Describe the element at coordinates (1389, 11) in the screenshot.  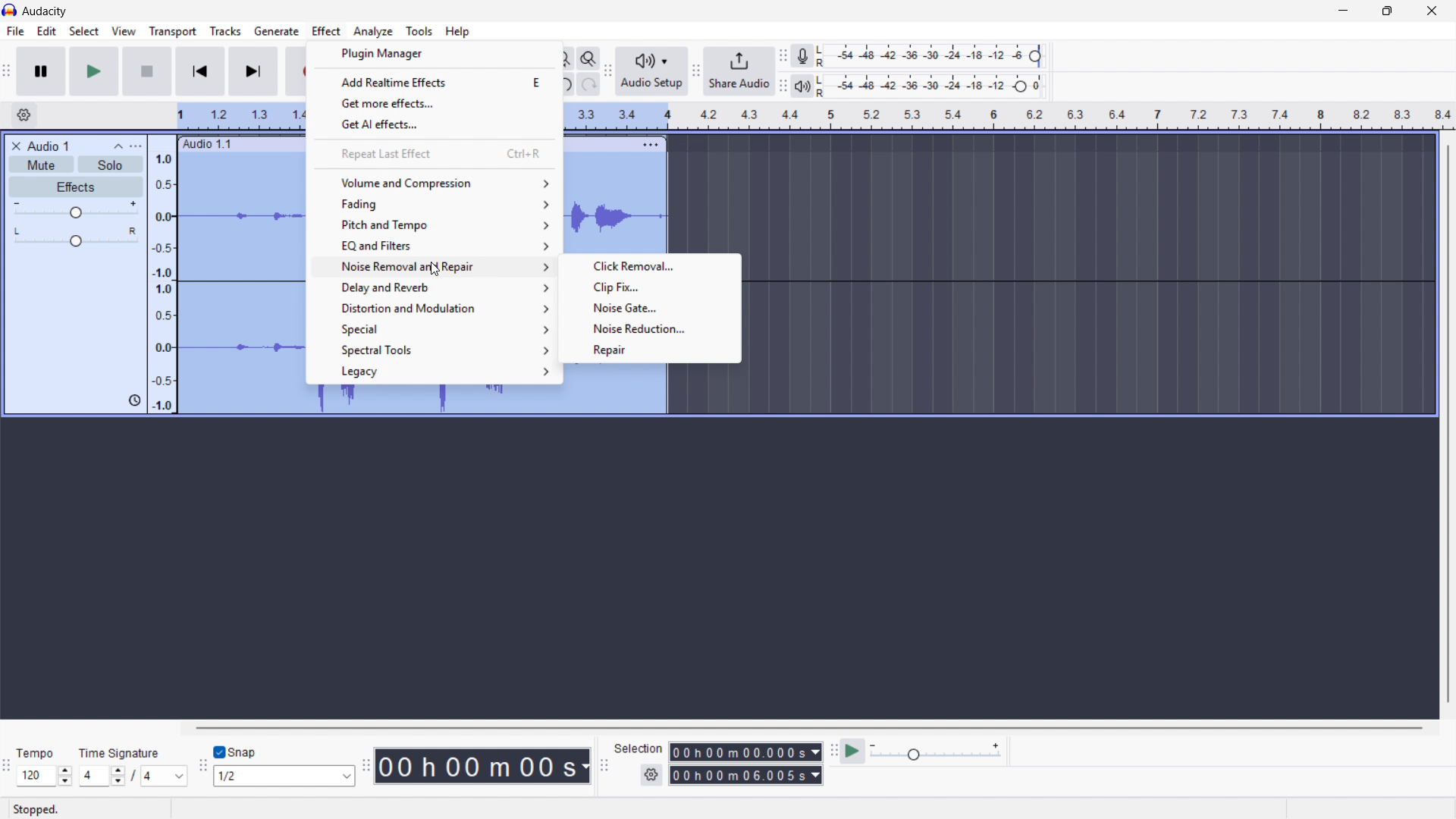
I see `Maximise` at that location.